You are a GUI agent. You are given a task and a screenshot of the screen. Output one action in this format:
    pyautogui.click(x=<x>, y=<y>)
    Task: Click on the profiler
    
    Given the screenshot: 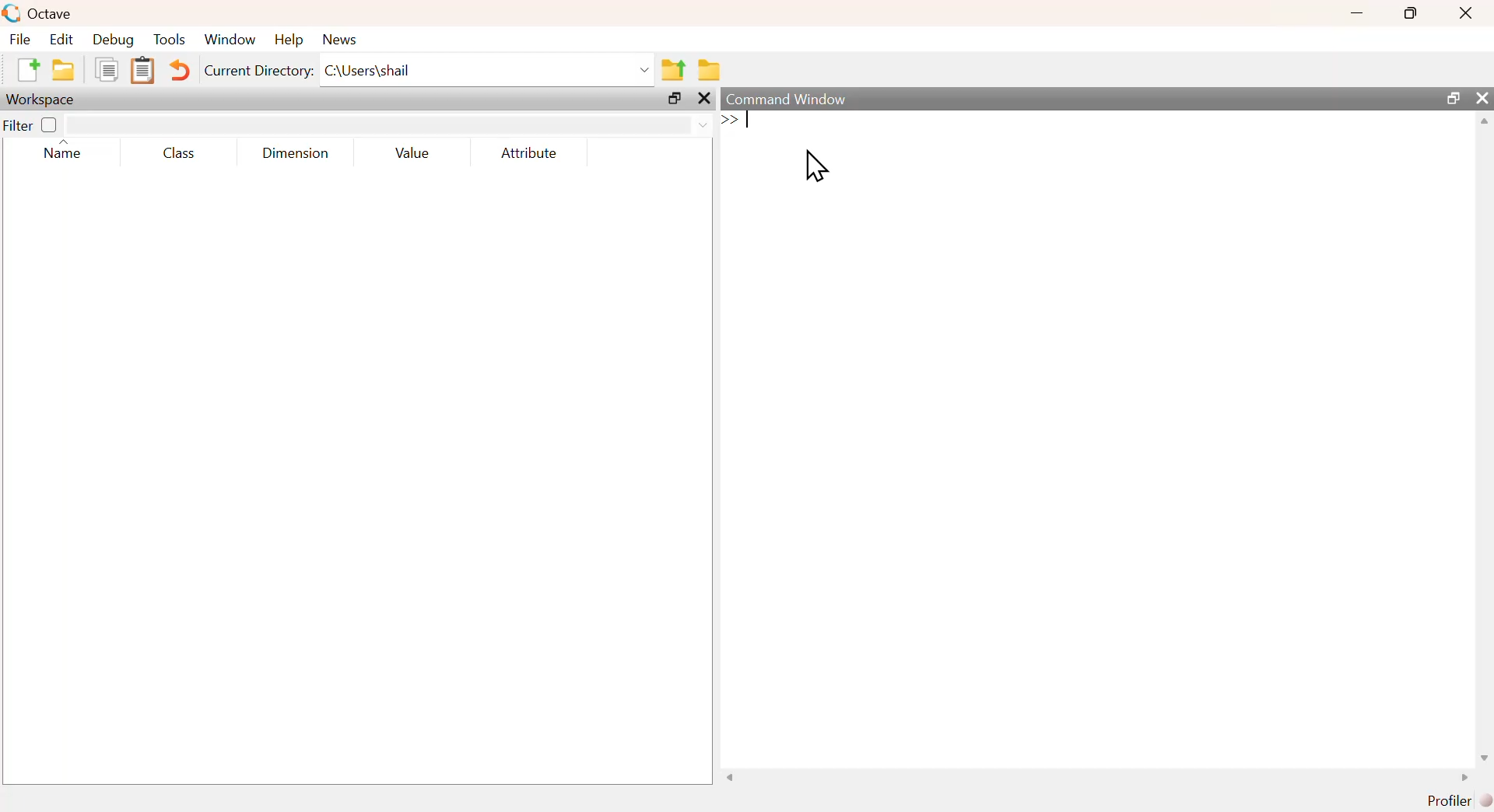 What is the action you would take?
    pyautogui.click(x=1450, y=800)
    